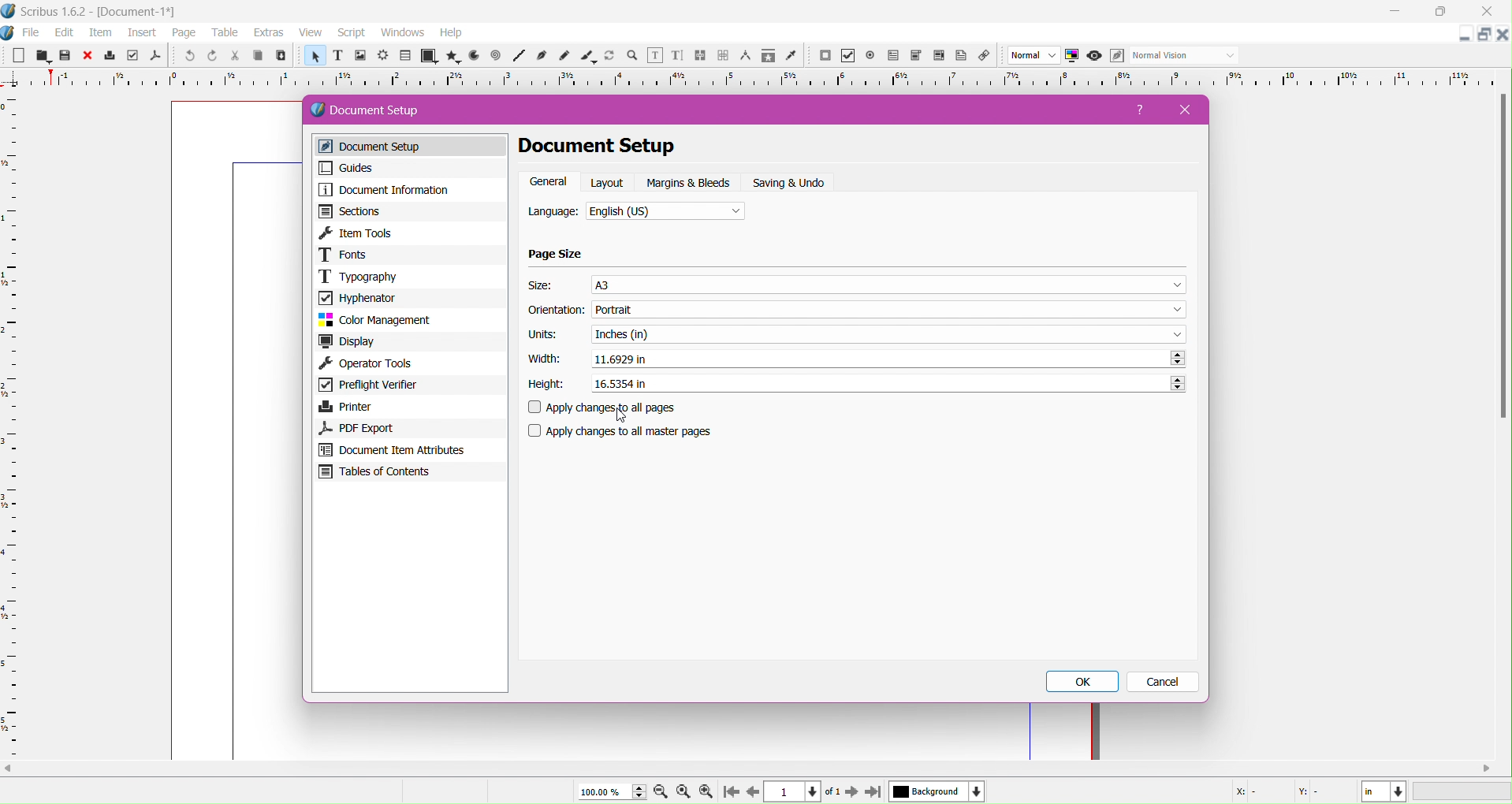 The width and height of the screenshot is (1512, 804). I want to click on view menu, so click(311, 33).